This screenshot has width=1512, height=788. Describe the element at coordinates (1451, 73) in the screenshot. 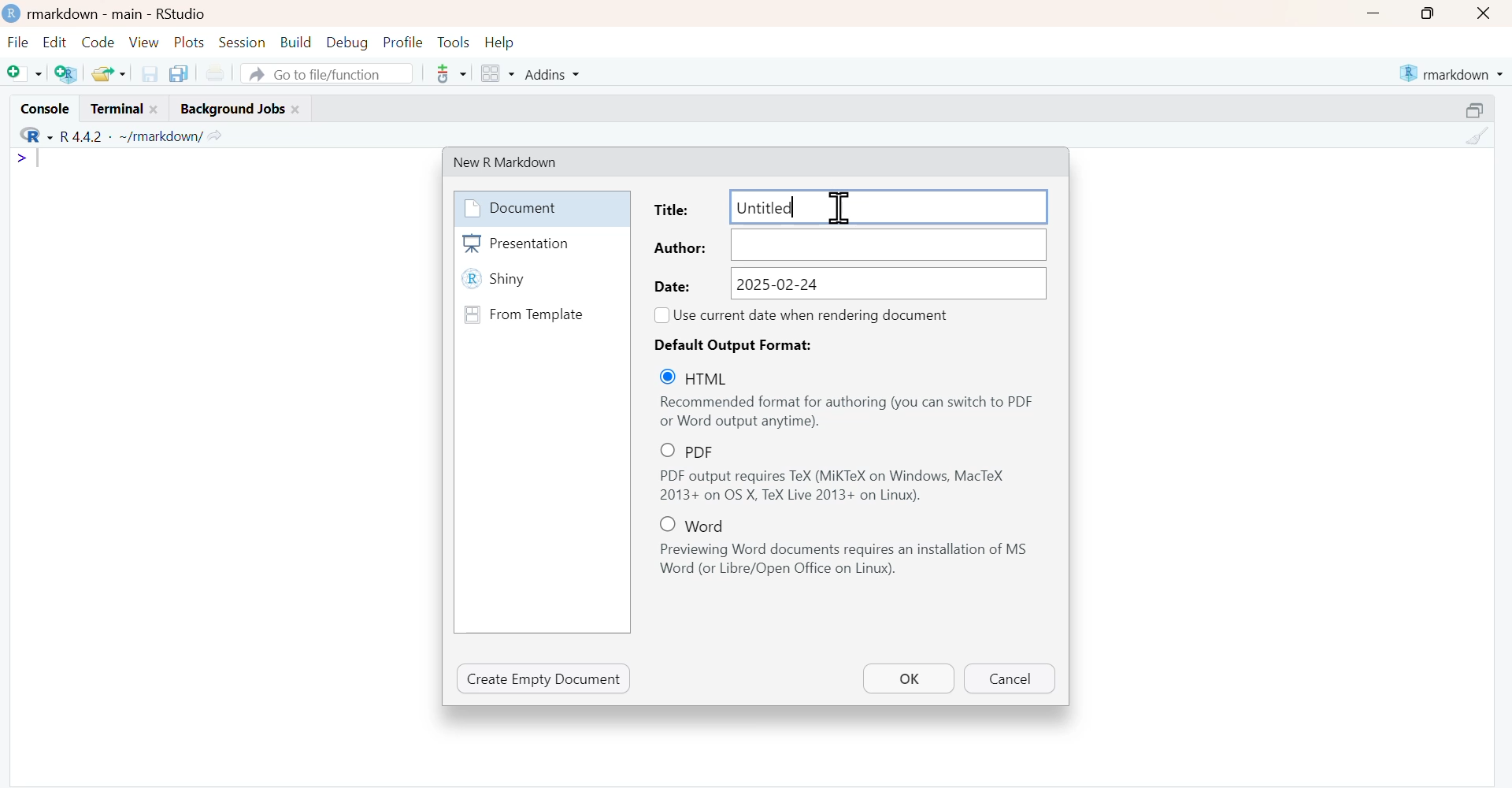

I see `current project - rmarkdown` at that location.